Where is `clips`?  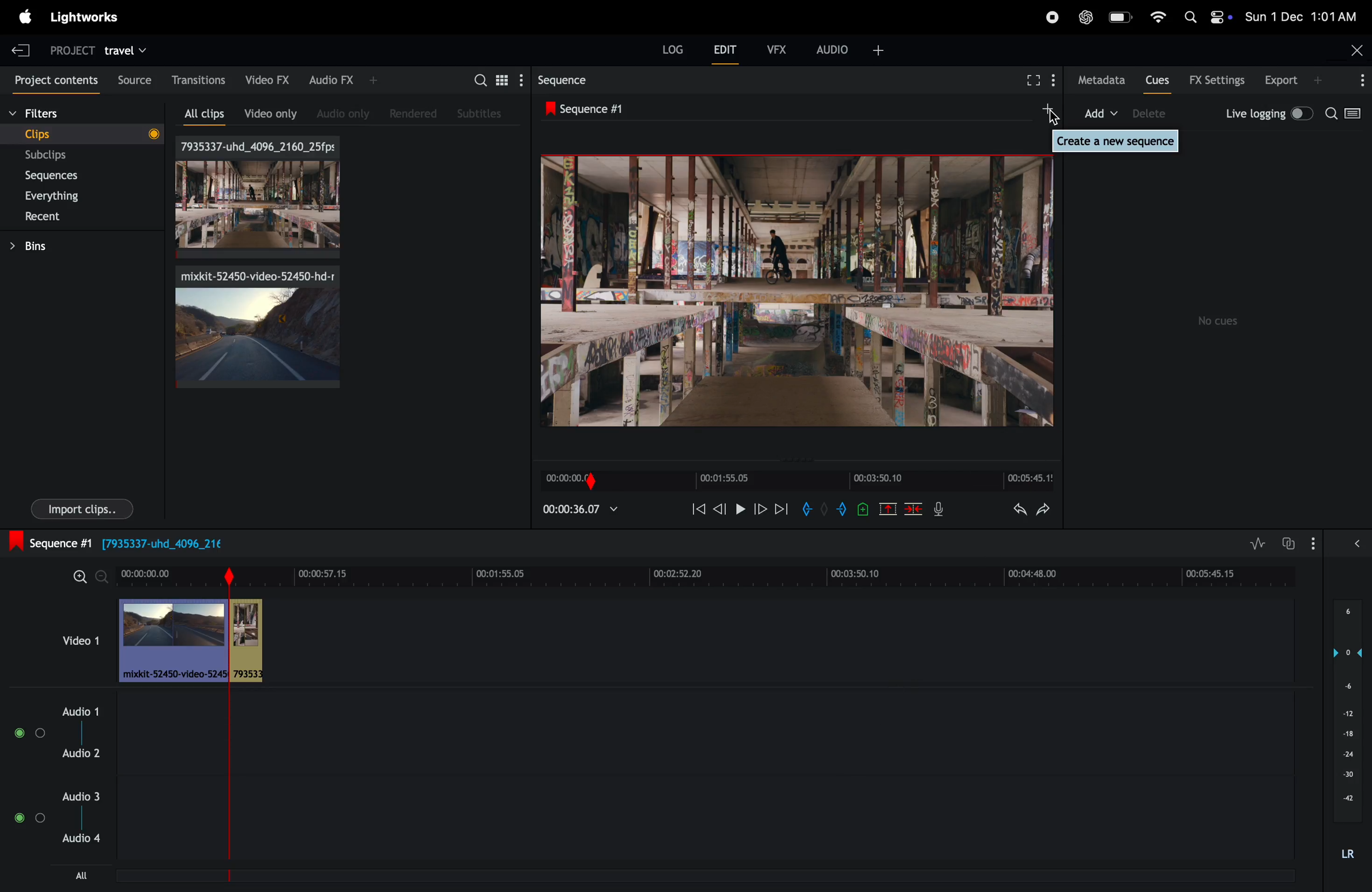 clips is located at coordinates (85, 134).